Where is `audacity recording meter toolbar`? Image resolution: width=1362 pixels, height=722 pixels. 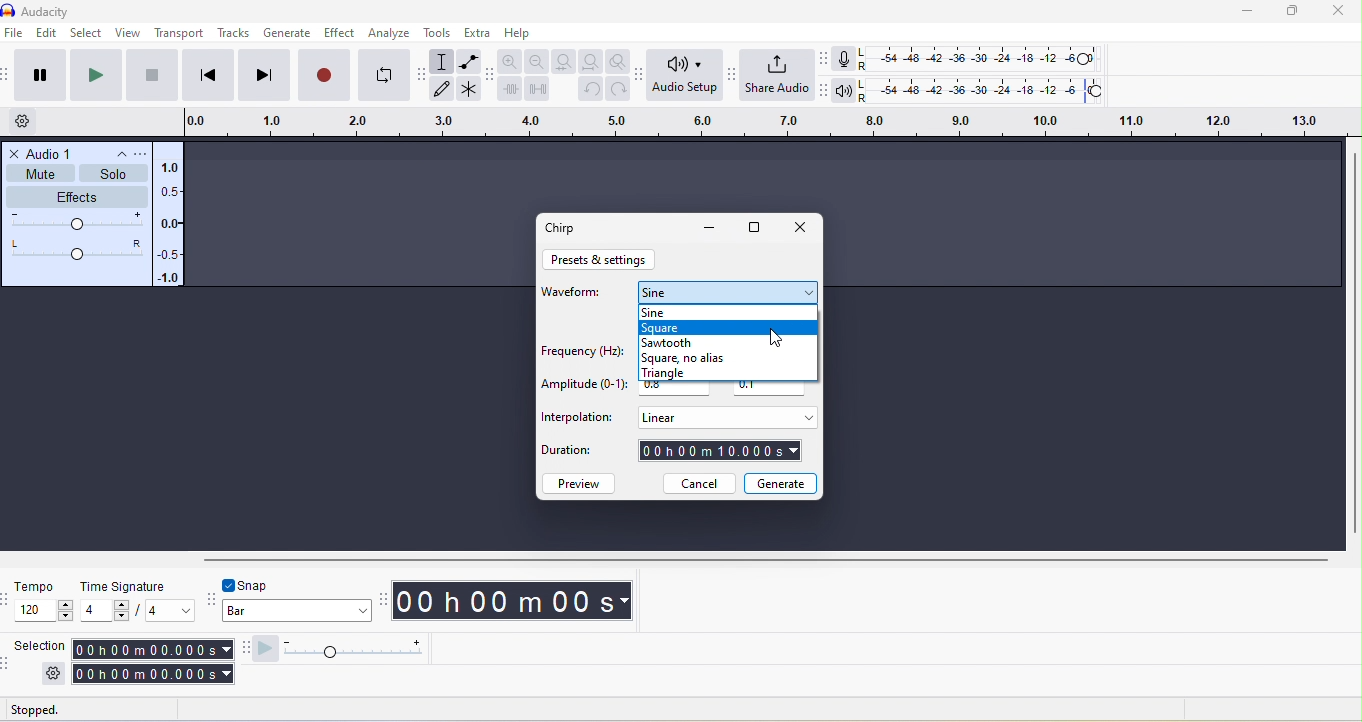
audacity recording meter toolbar is located at coordinates (827, 58).